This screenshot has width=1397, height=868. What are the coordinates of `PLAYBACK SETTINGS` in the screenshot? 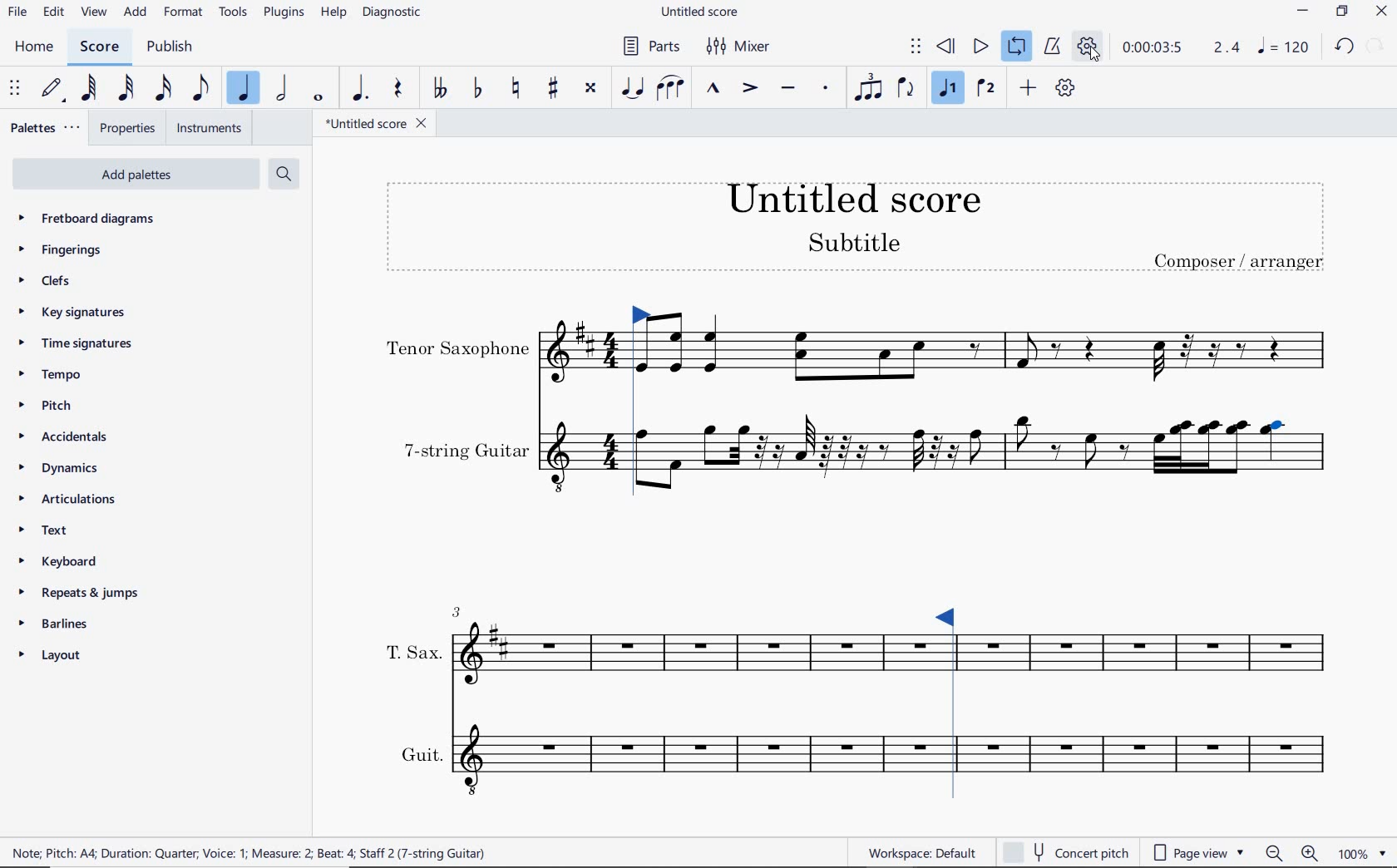 It's located at (1088, 47).